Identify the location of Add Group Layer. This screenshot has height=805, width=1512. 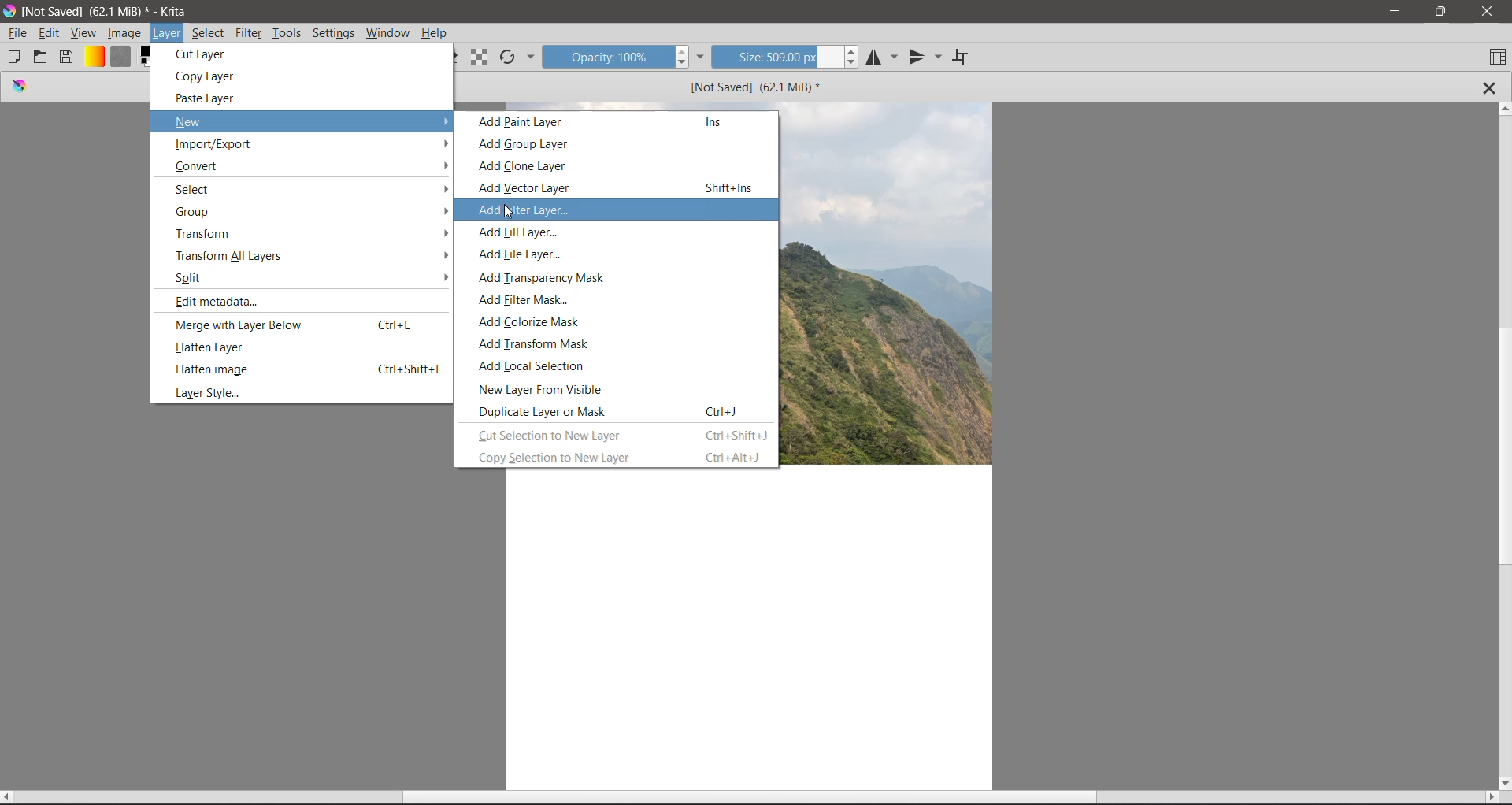
(528, 145).